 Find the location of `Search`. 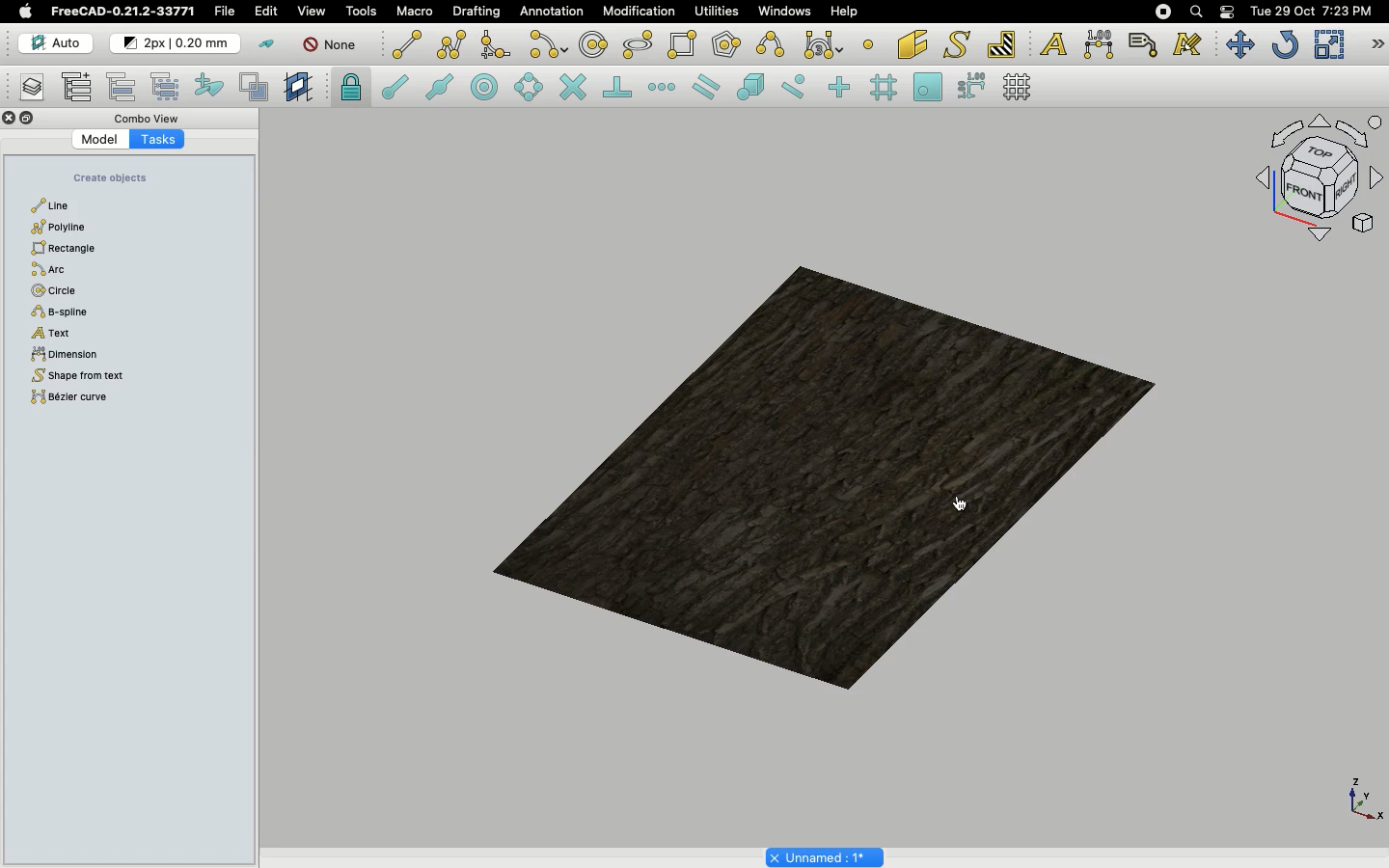

Search is located at coordinates (1195, 12).